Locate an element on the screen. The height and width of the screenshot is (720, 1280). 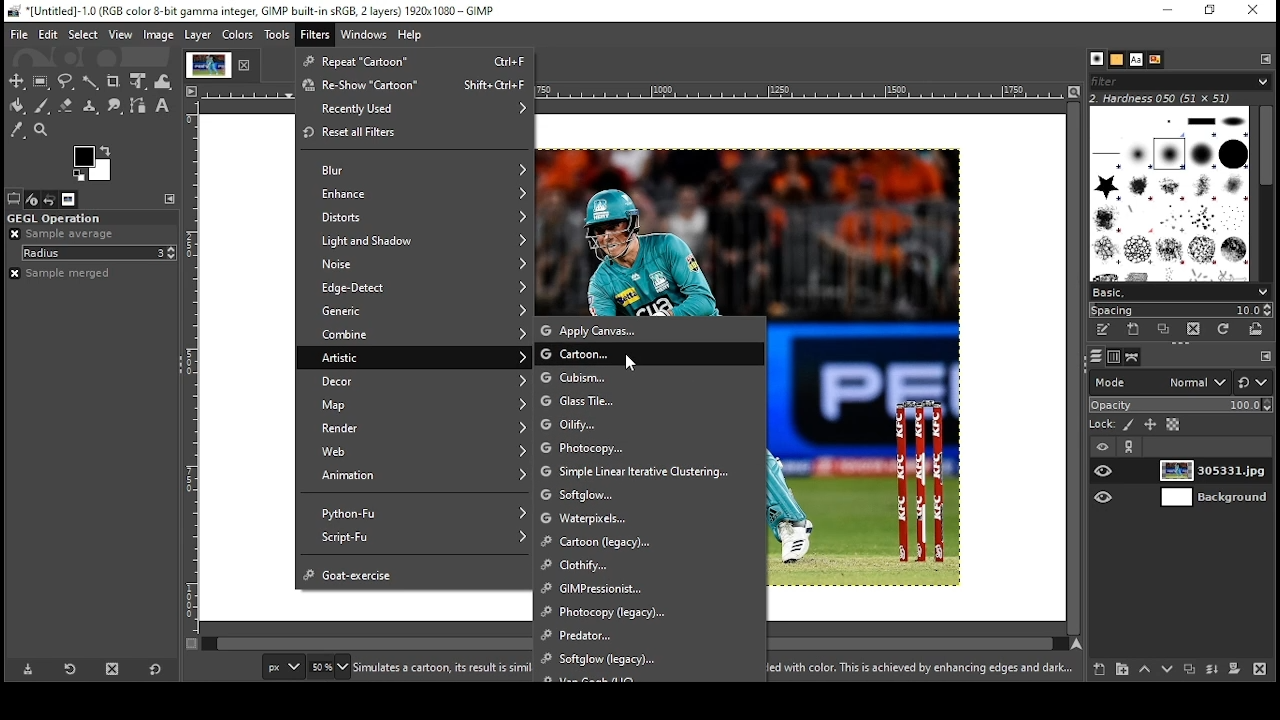
link is located at coordinates (1131, 448).